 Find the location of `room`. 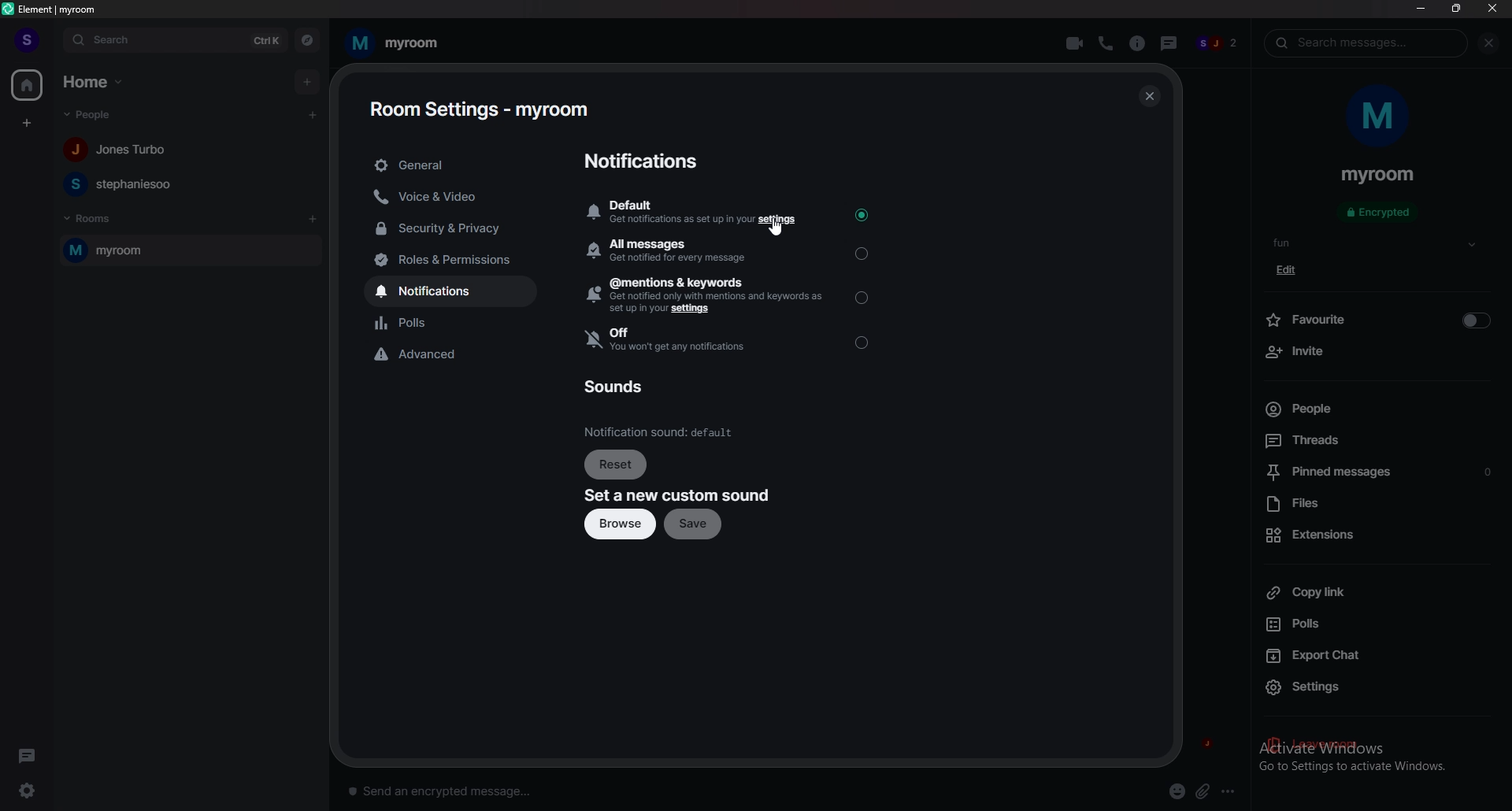

room is located at coordinates (190, 250).